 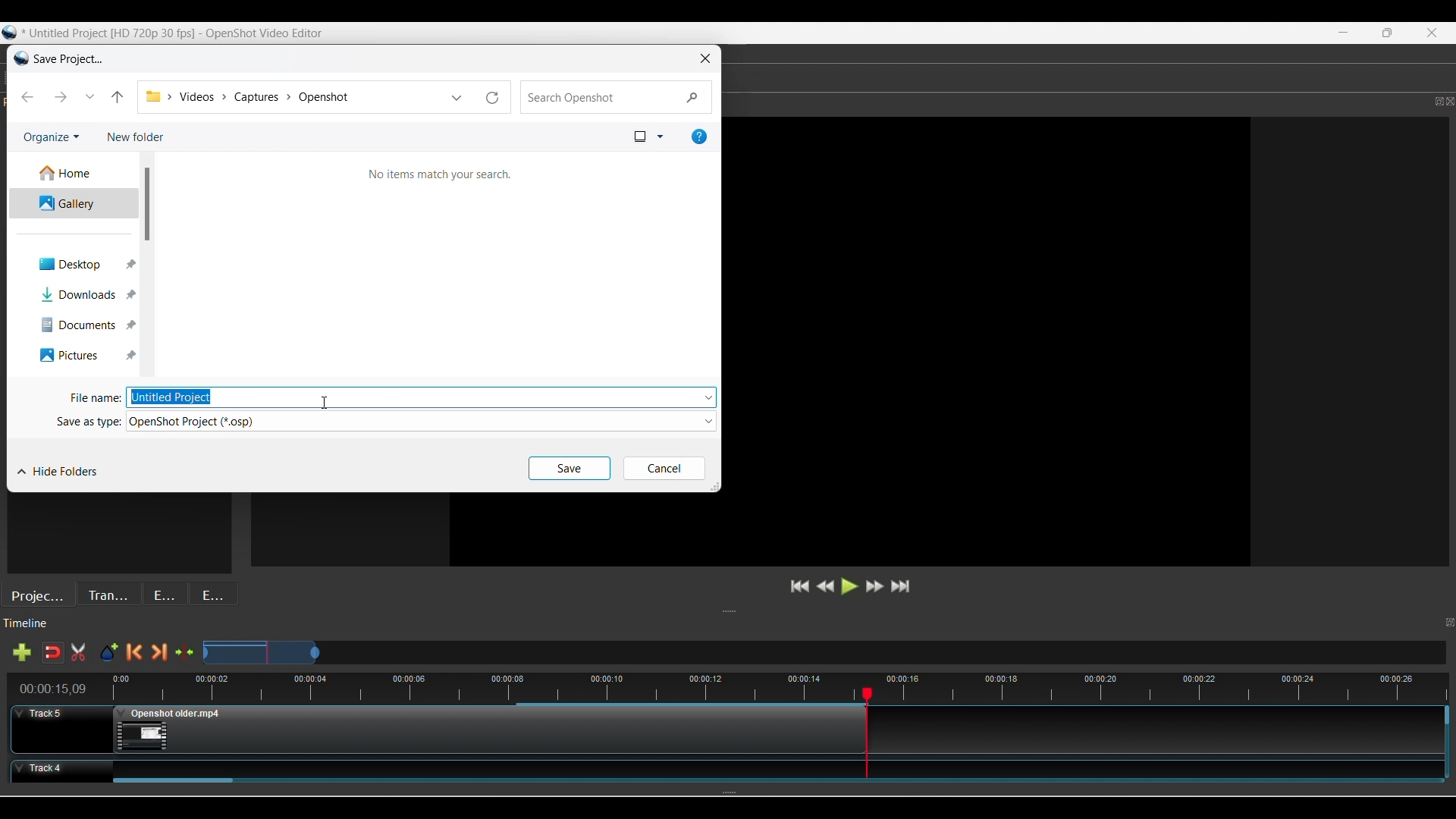 I want to click on Previous marker, so click(x=133, y=652).